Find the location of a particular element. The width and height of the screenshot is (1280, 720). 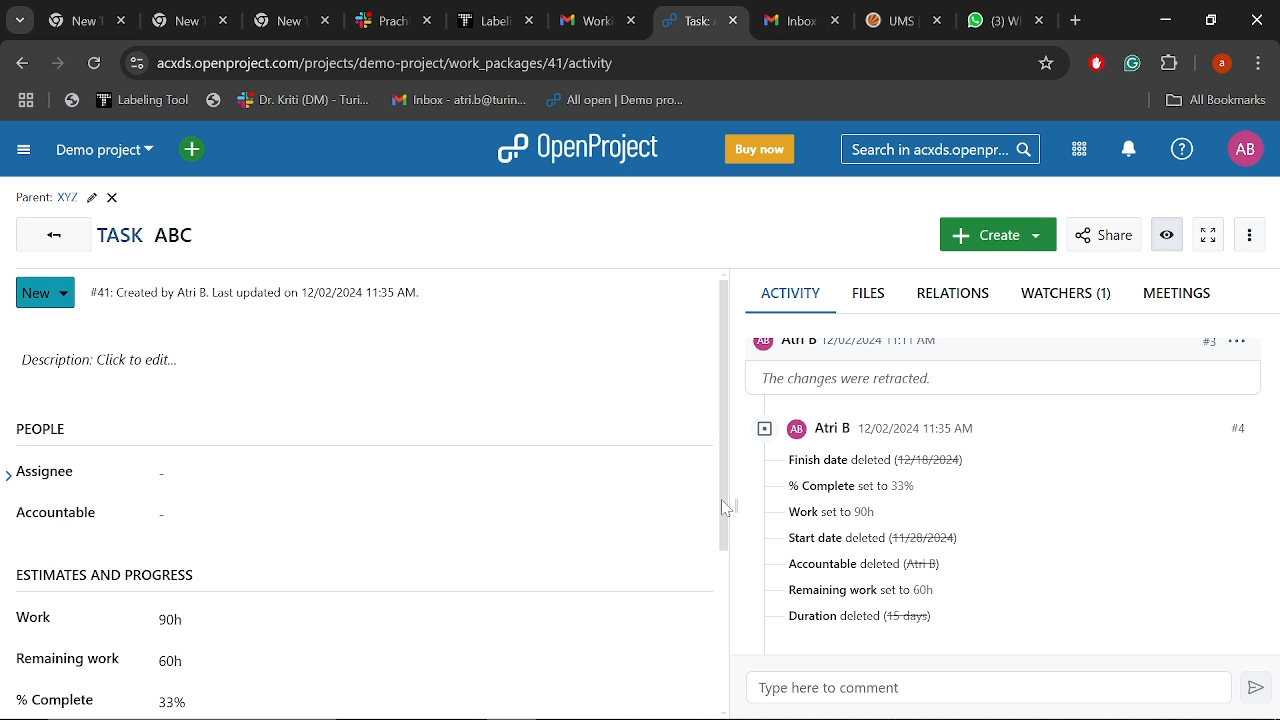

parent is located at coordinates (33, 198).